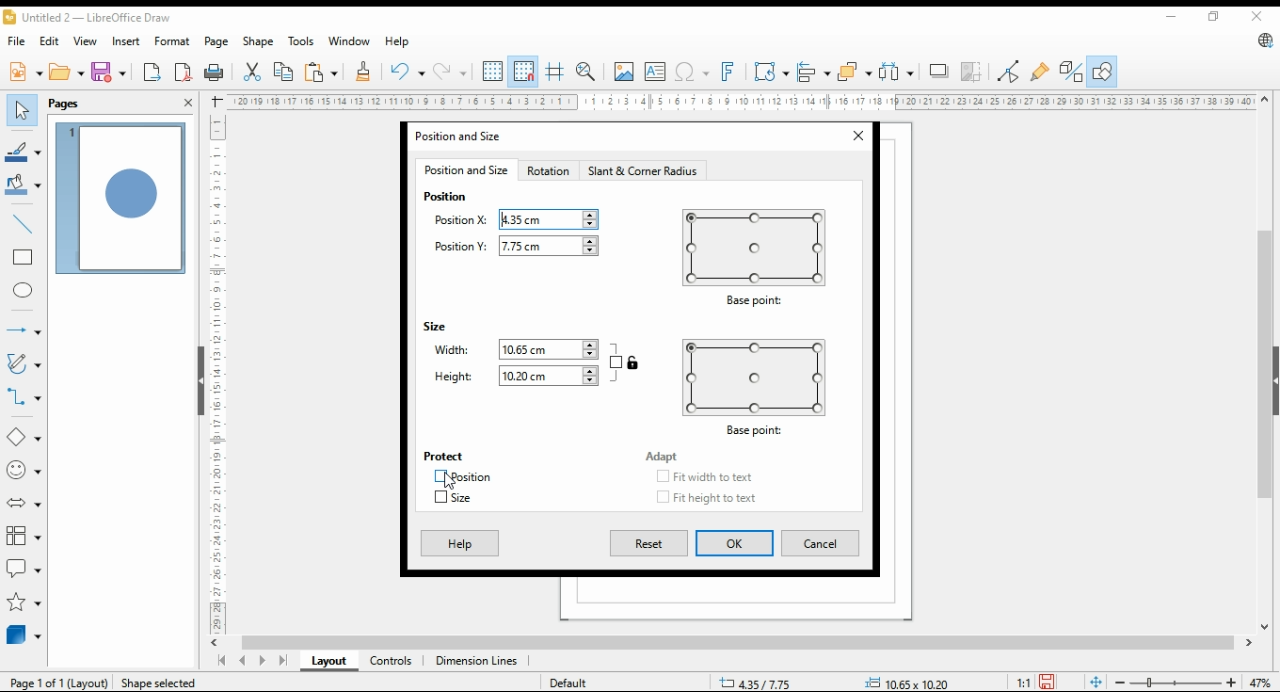 The height and width of the screenshot is (692, 1280). Describe the element at coordinates (1264, 41) in the screenshot. I see `libreoffice update` at that location.